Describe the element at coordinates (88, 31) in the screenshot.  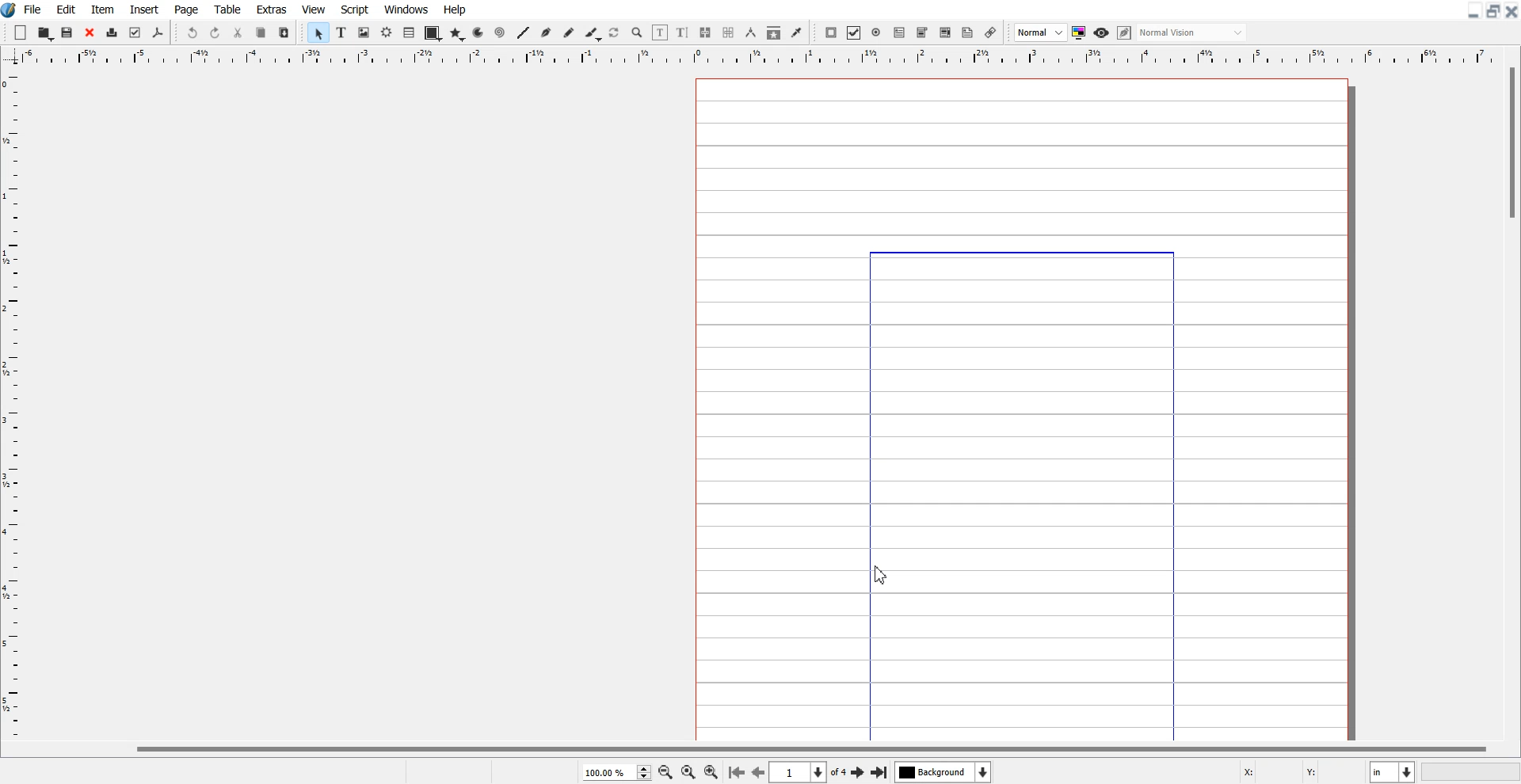
I see `Close` at that location.